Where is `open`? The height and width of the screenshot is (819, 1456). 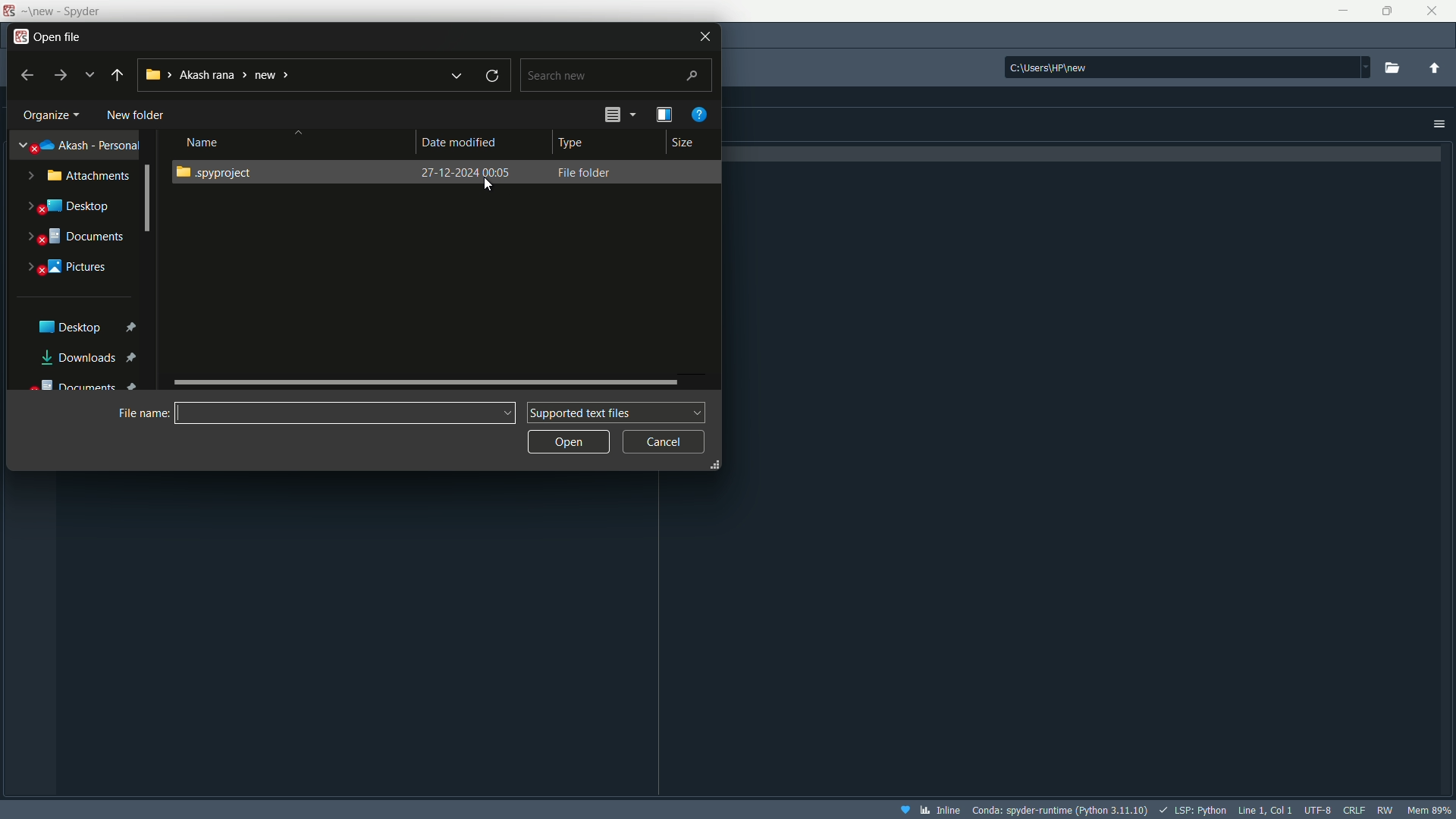 open is located at coordinates (569, 441).